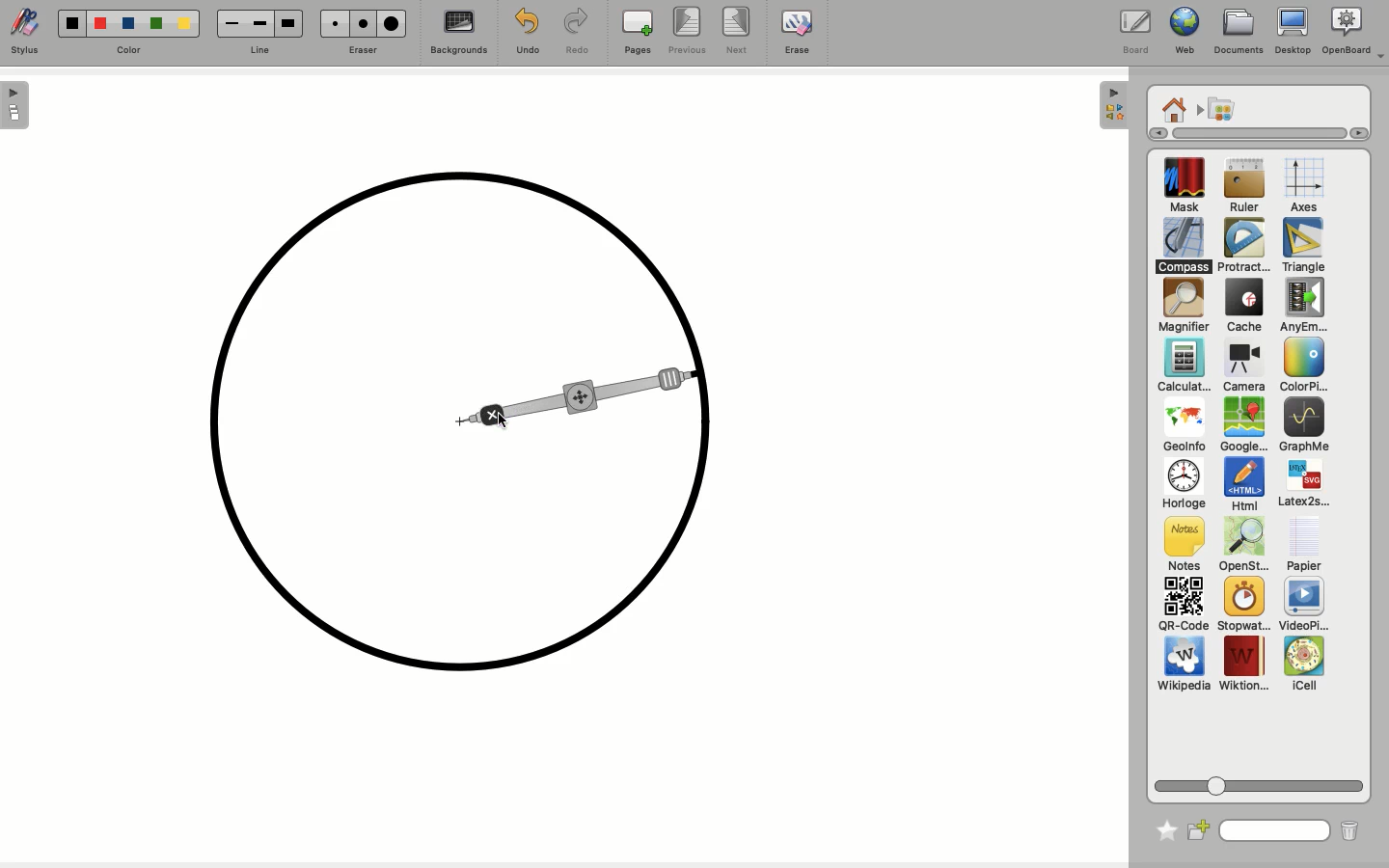 The width and height of the screenshot is (1389, 868). Describe the element at coordinates (1185, 187) in the screenshot. I see `Mask` at that location.